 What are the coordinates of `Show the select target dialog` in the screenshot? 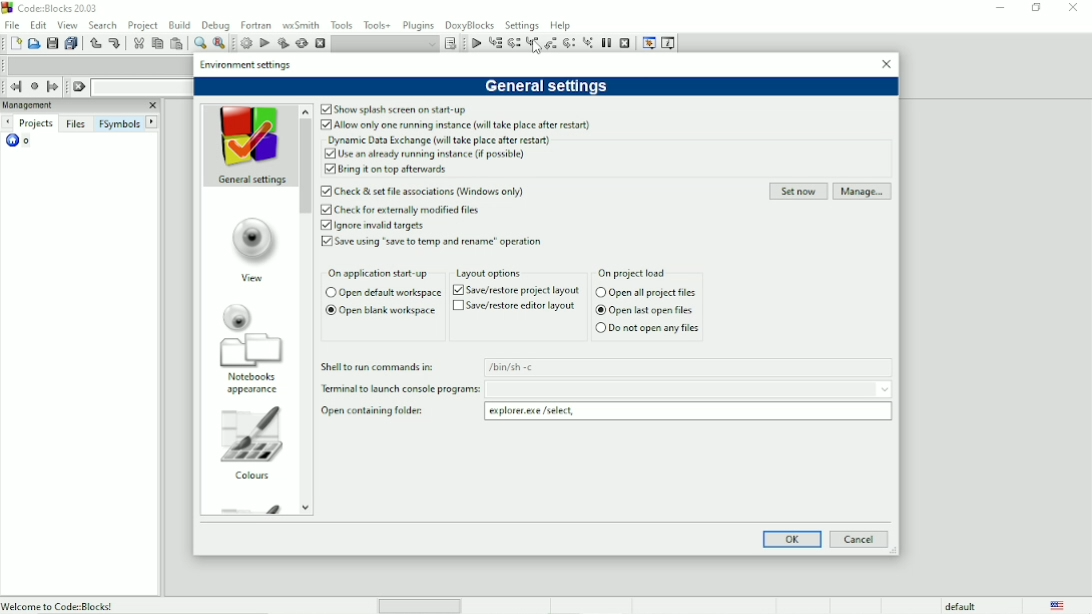 It's located at (394, 44).